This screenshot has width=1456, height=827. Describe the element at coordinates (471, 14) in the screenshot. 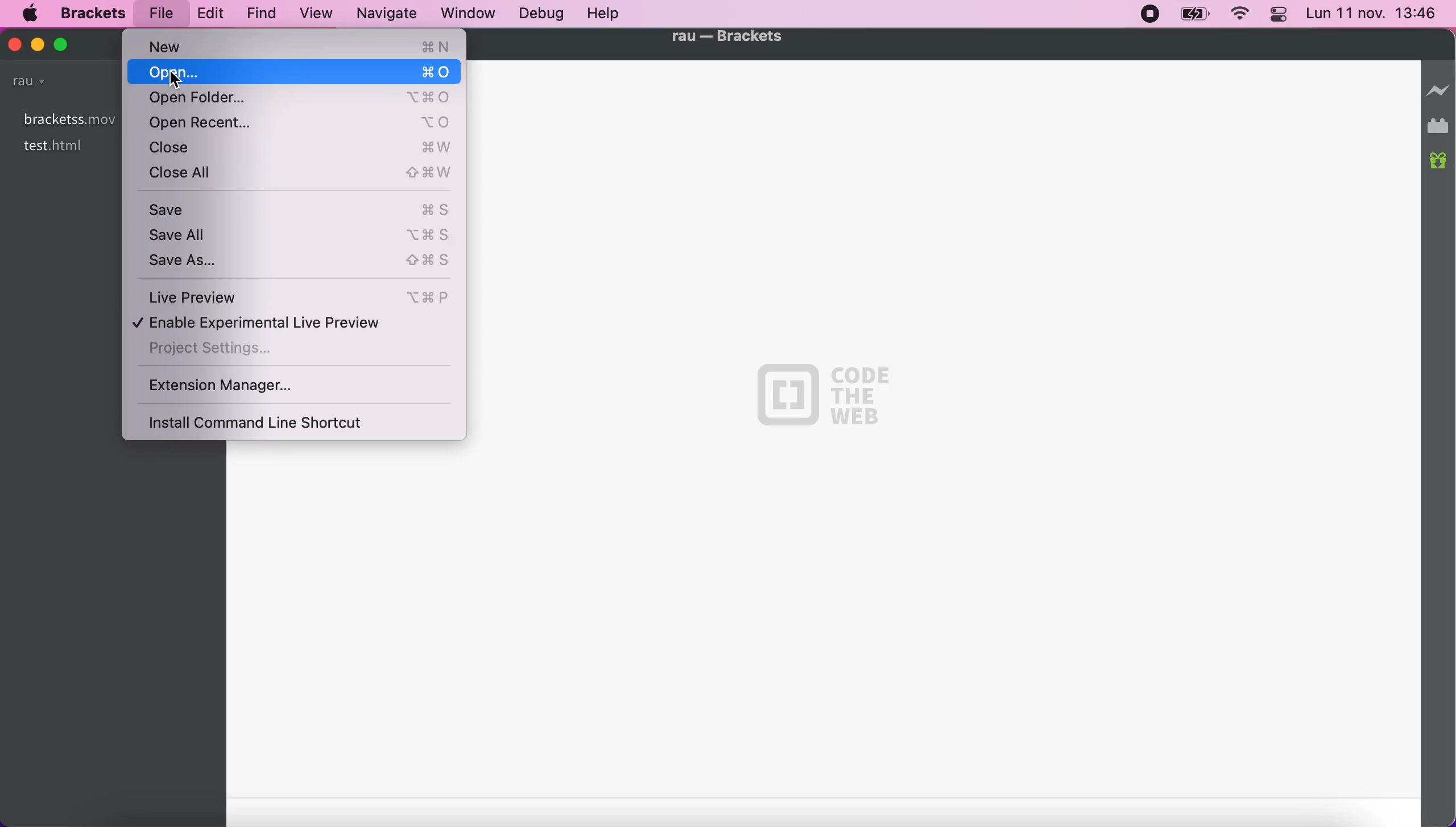

I see `window` at that location.